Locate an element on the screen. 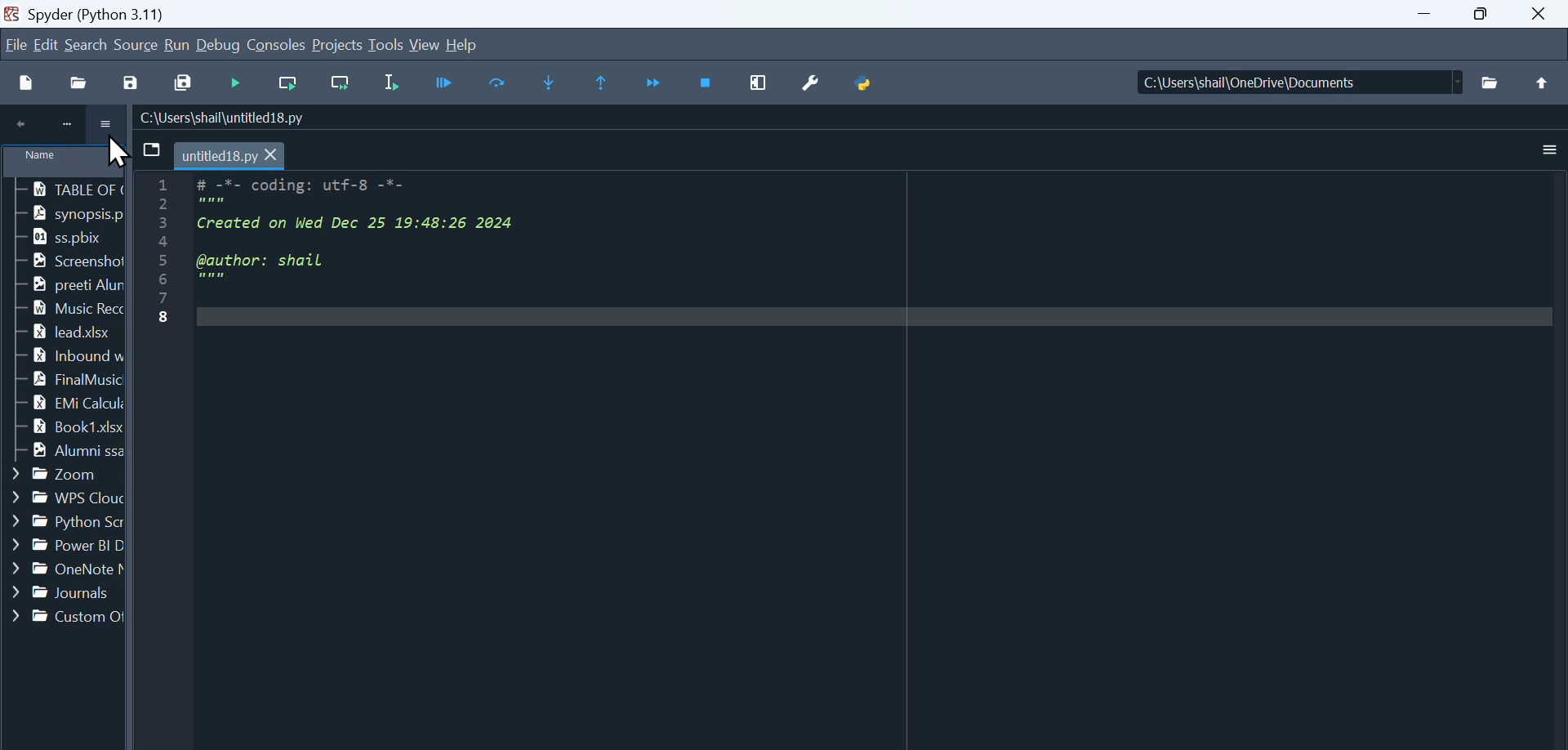 This screenshot has height=750, width=1568. cursor is located at coordinates (118, 154).